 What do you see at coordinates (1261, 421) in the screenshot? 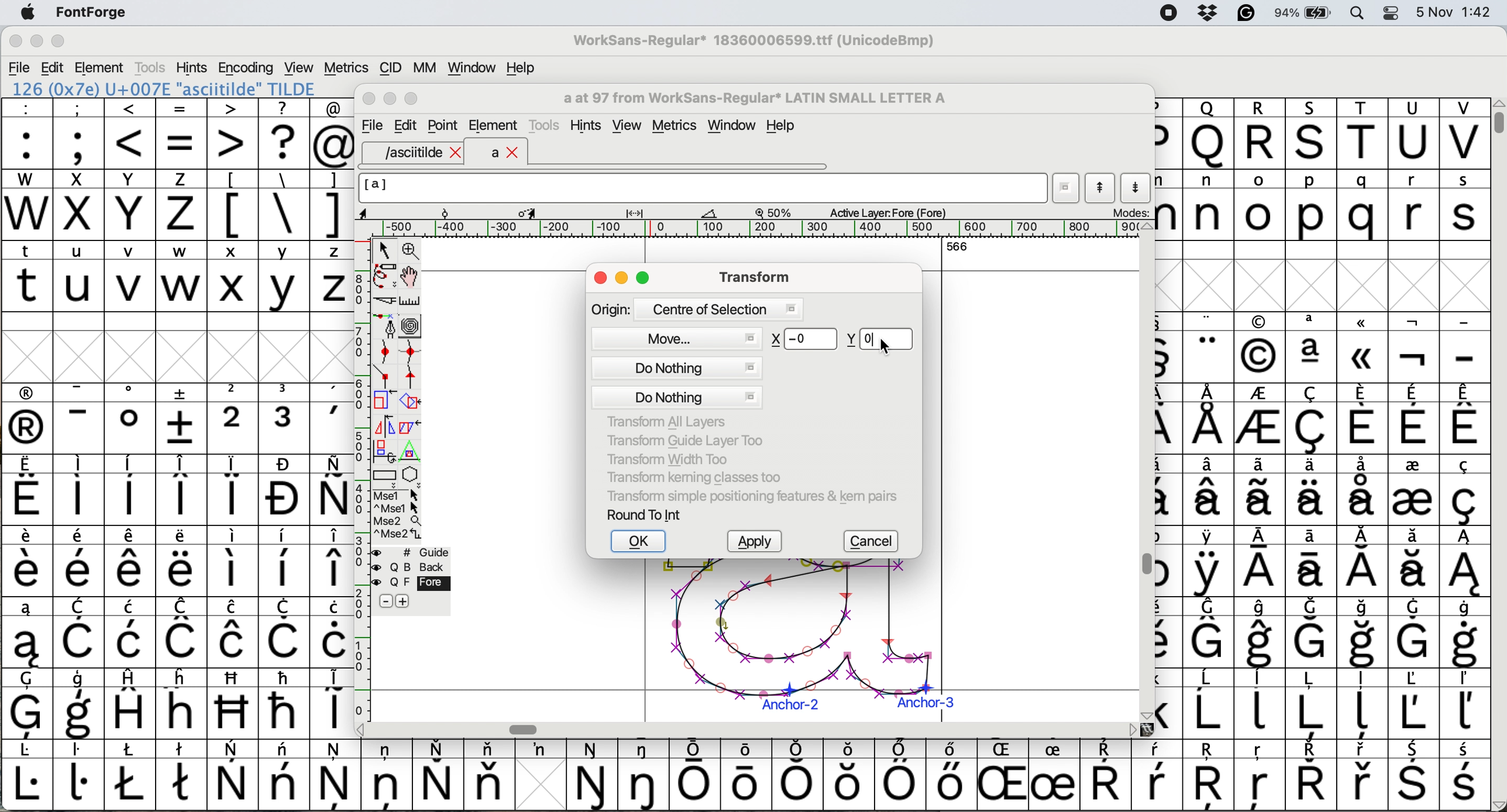
I see `symbol` at bounding box center [1261, 421].